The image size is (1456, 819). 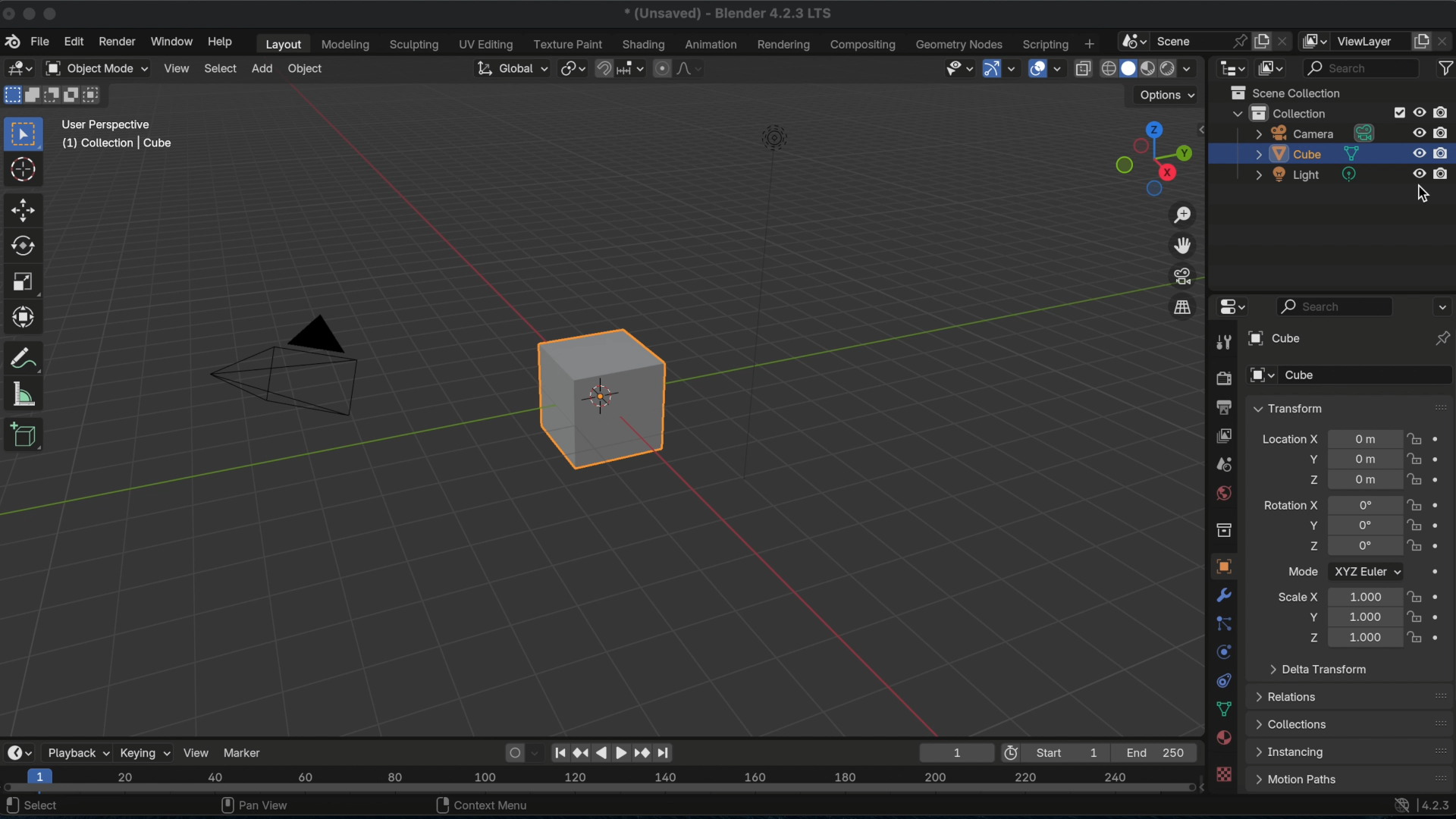 I want to click on collection, so click(x=1279, y=112).